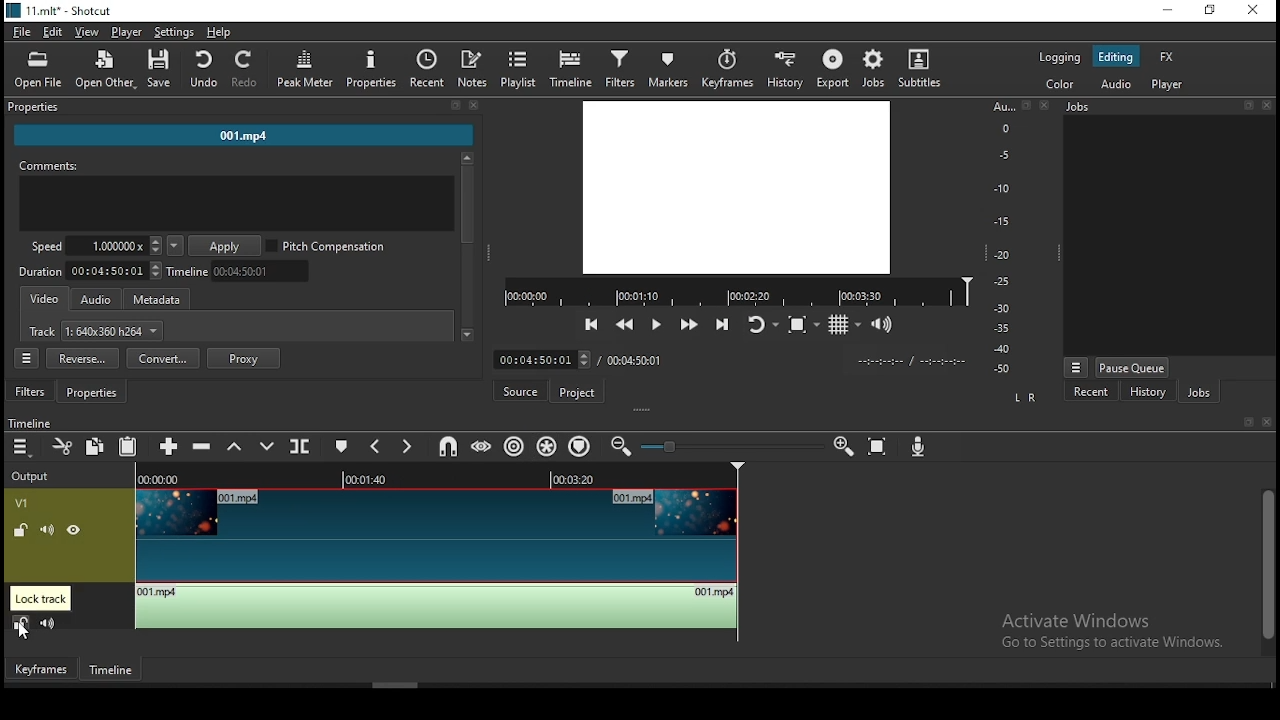 The image size is (1280, 720). I want to click on Output, so click(36, 475).